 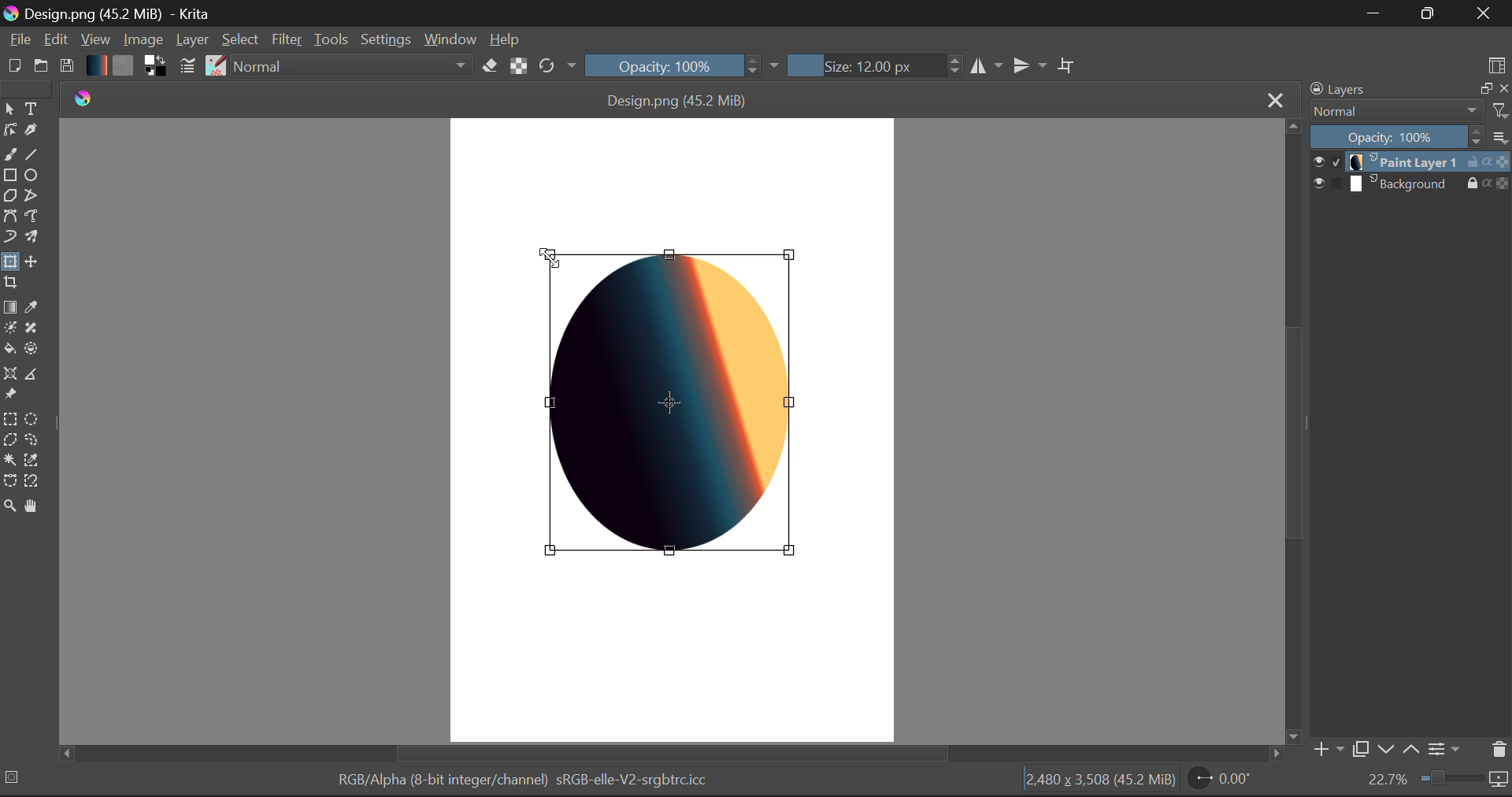 I want to click on Magnetic Selection, so click(x=32, y=483).